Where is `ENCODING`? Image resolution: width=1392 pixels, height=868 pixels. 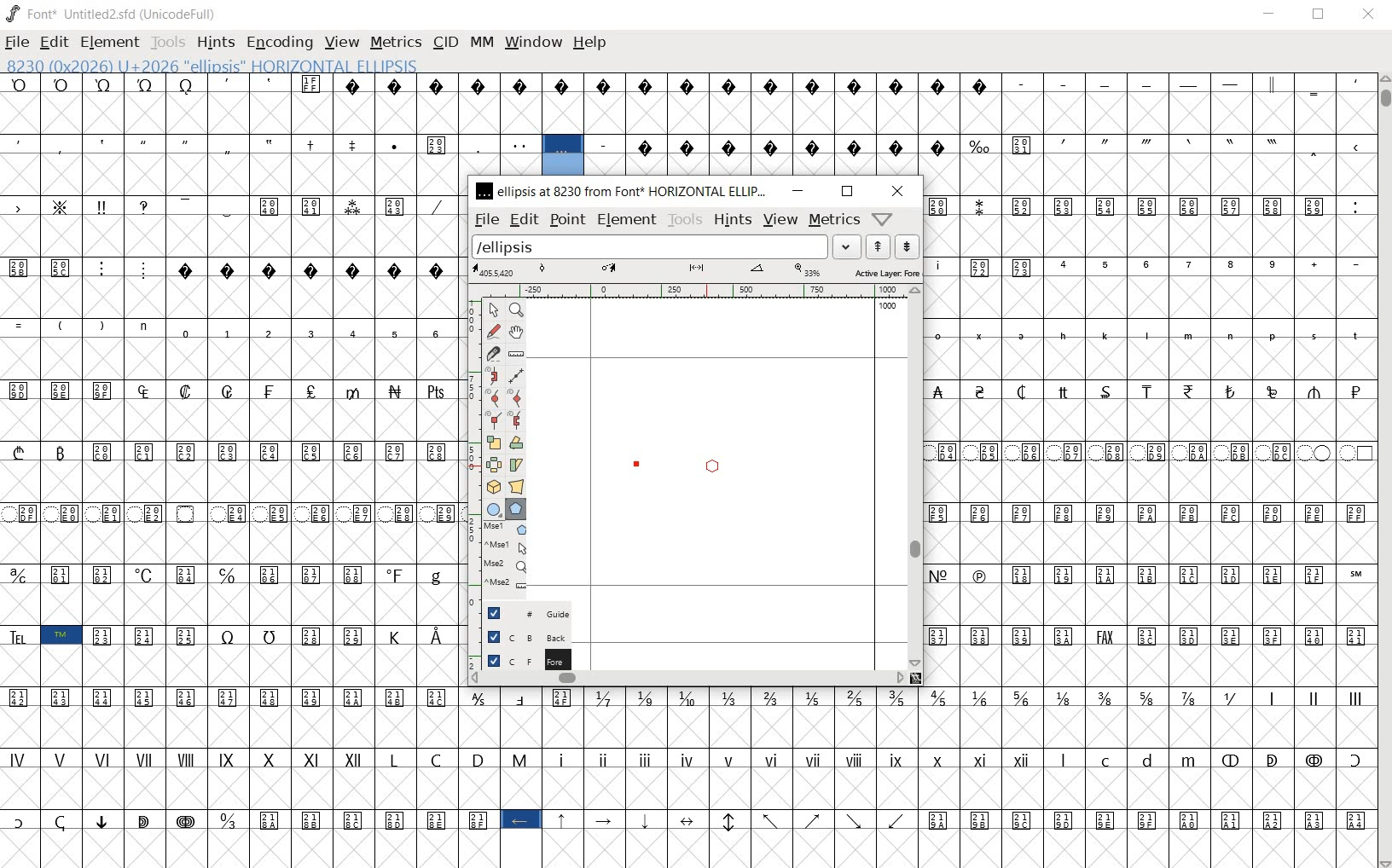
ENCODING is located at coordinates (278, 43).